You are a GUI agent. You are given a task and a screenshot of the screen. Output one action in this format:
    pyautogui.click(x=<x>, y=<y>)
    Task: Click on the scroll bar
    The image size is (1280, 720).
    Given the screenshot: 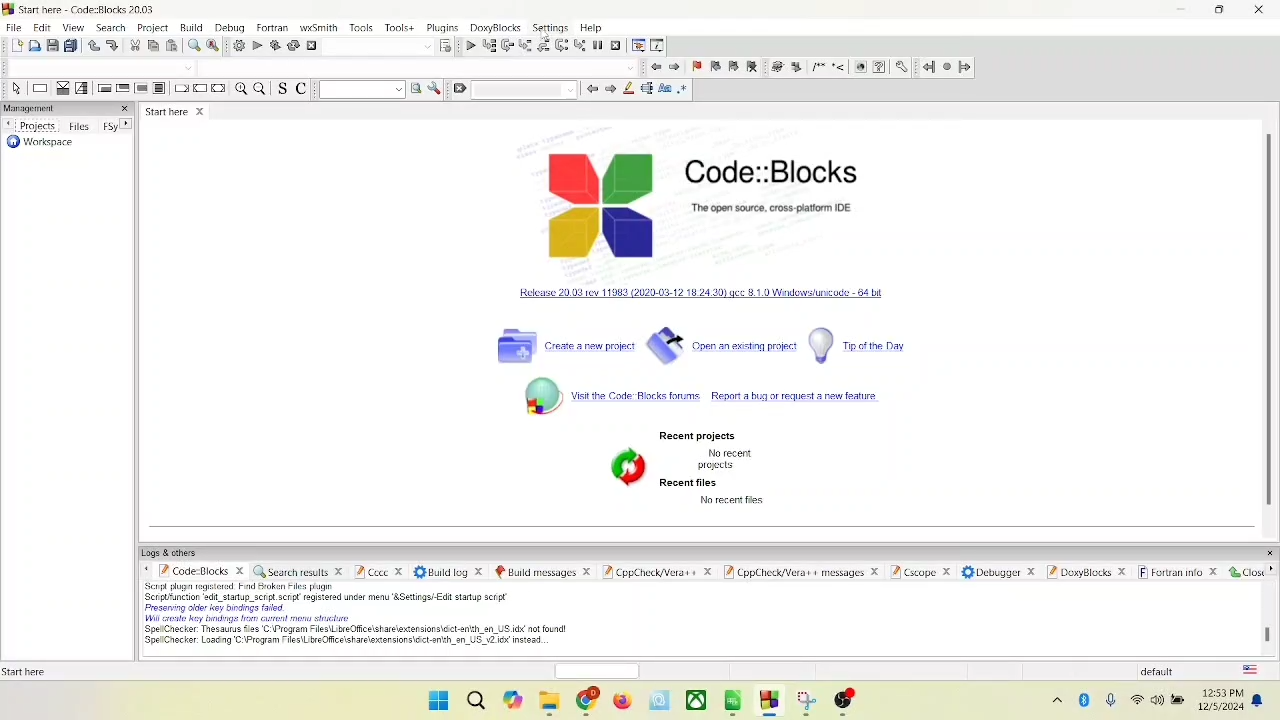 What is the action you would take?
    pyautogui.click(x=1271, y=619)
    